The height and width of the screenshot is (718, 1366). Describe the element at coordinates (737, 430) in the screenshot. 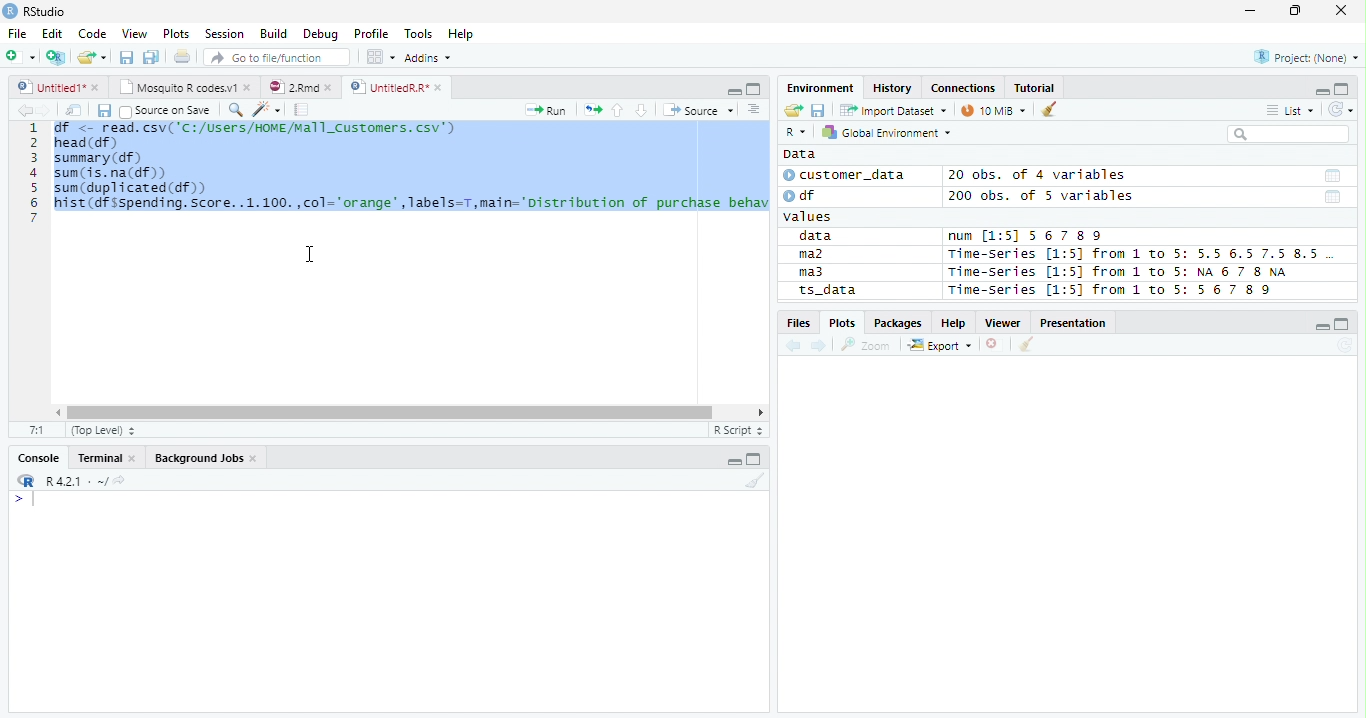

I see `R script` at that location.